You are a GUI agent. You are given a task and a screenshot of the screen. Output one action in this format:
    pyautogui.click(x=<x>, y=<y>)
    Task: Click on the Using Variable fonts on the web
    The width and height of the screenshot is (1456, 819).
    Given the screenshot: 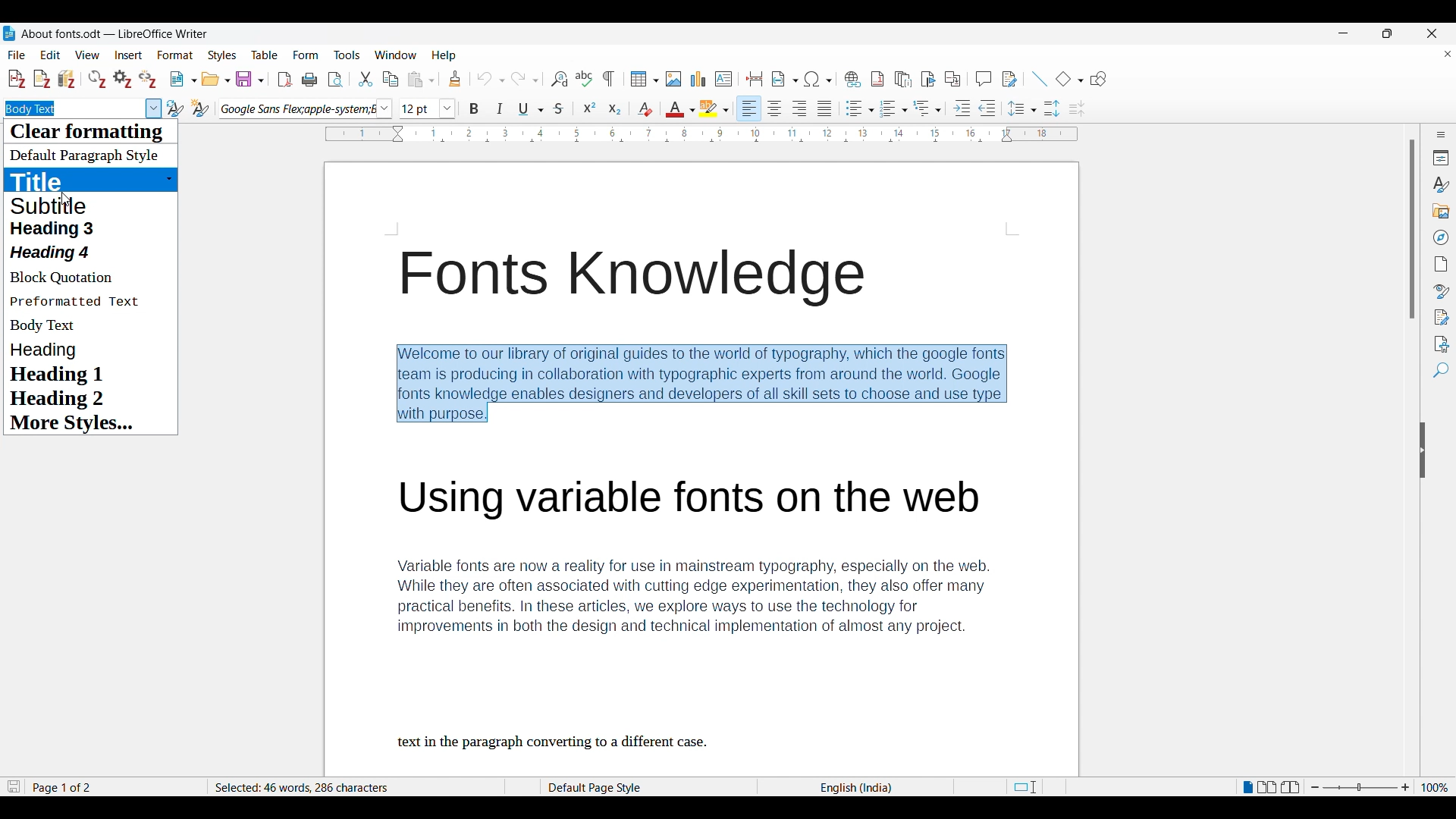 What is the action you would take?
    pyautogui.click(x=701, y=496)
    